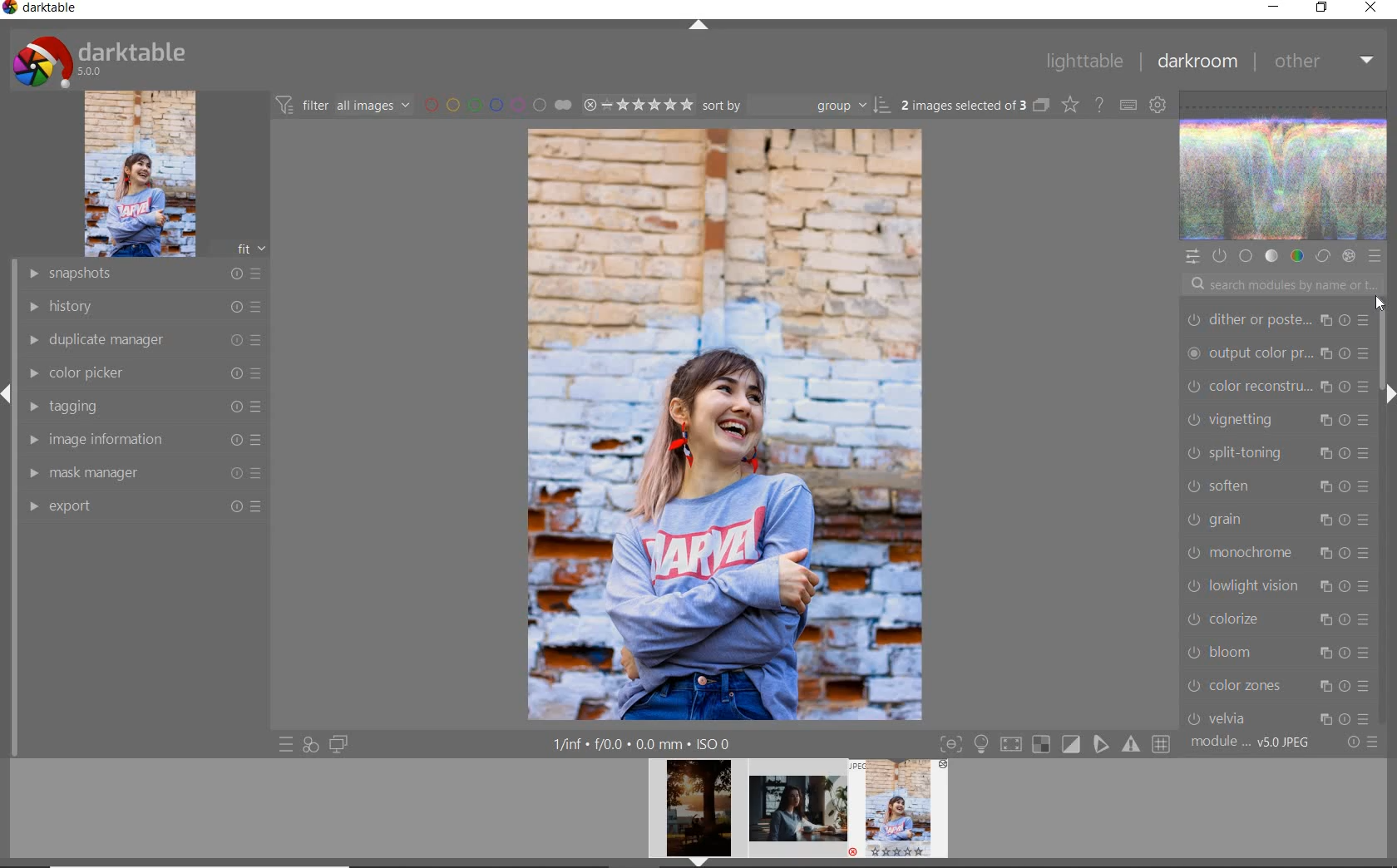 The height and width of the screenshot is (868, 1397). Describe the element at coordinates (1296, 255) in the screenshot. I see `color` at that location.